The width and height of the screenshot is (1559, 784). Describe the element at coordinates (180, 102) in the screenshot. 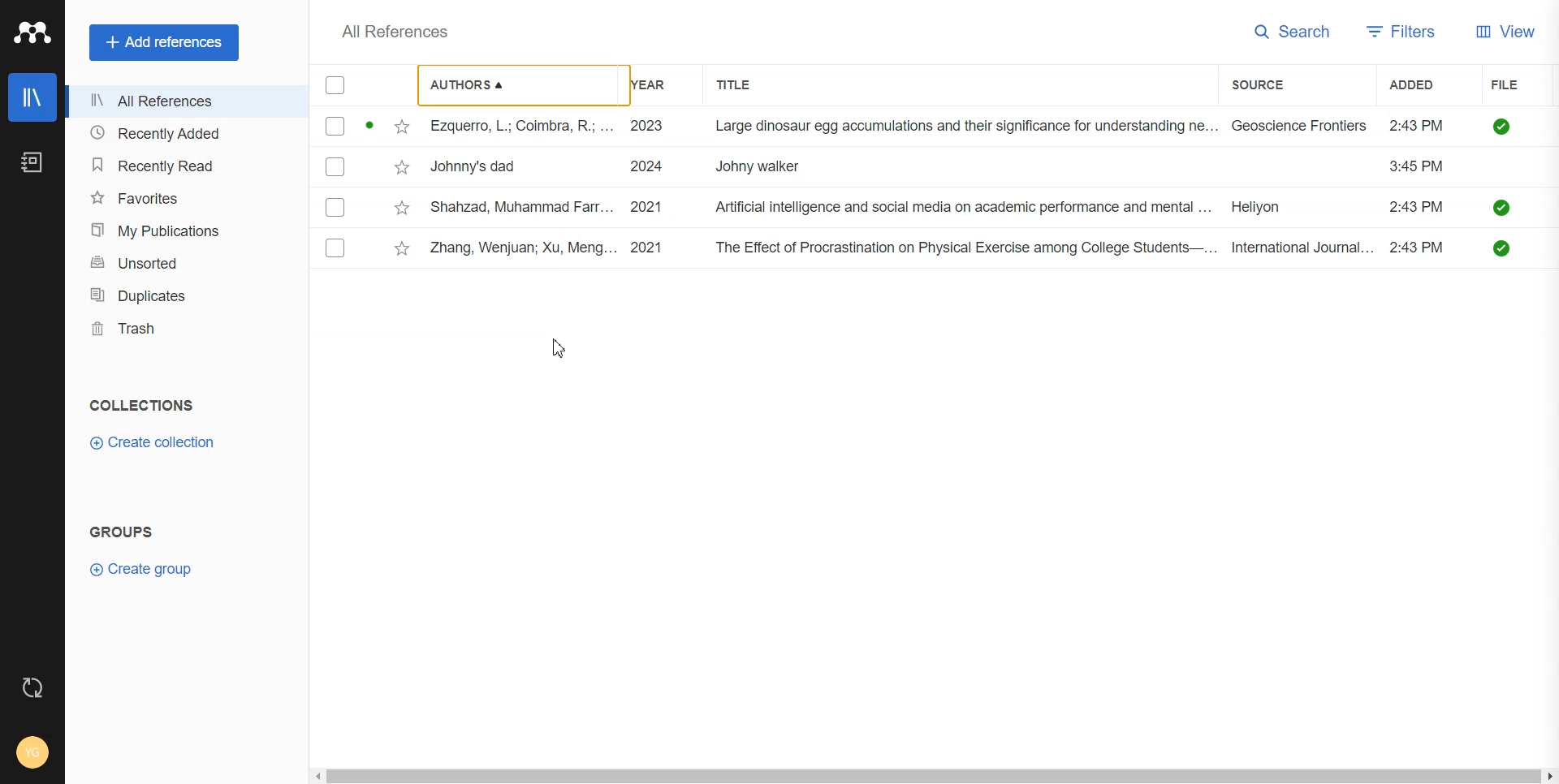

I see `All References` at that location.